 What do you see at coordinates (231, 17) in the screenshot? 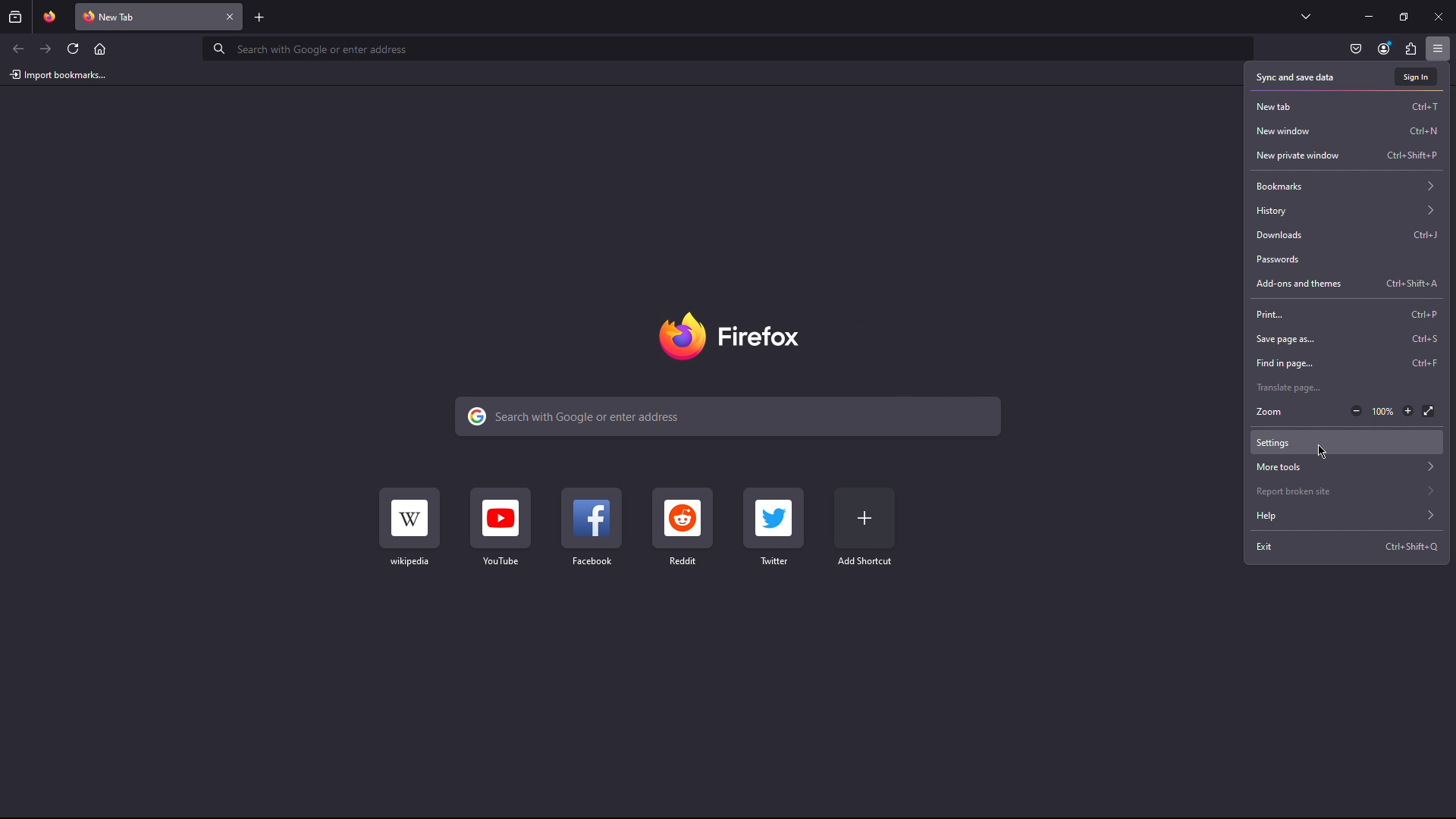
I see `Close` at bounding box center [231, 17].